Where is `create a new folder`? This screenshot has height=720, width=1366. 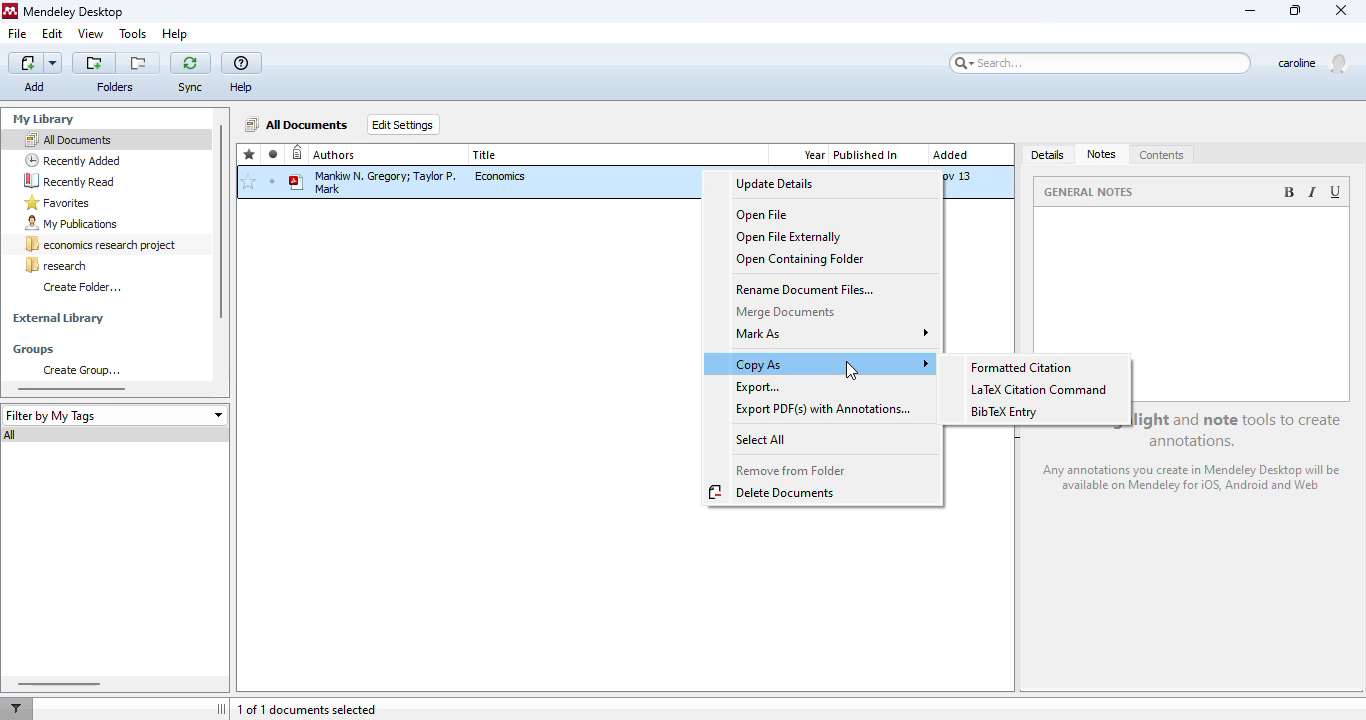
create a new folder is located at coordinates (94, 63).